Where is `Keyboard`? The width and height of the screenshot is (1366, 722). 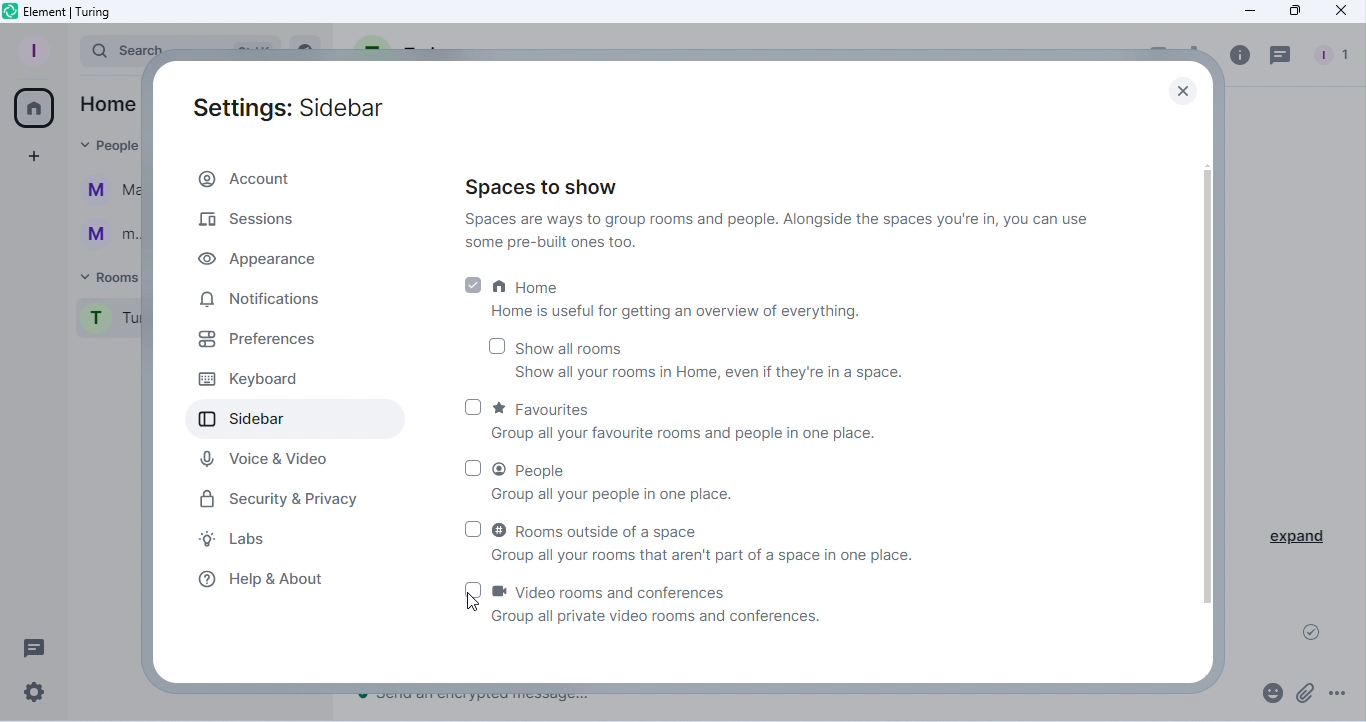 Keyboard is located at coordinates (245, 380).